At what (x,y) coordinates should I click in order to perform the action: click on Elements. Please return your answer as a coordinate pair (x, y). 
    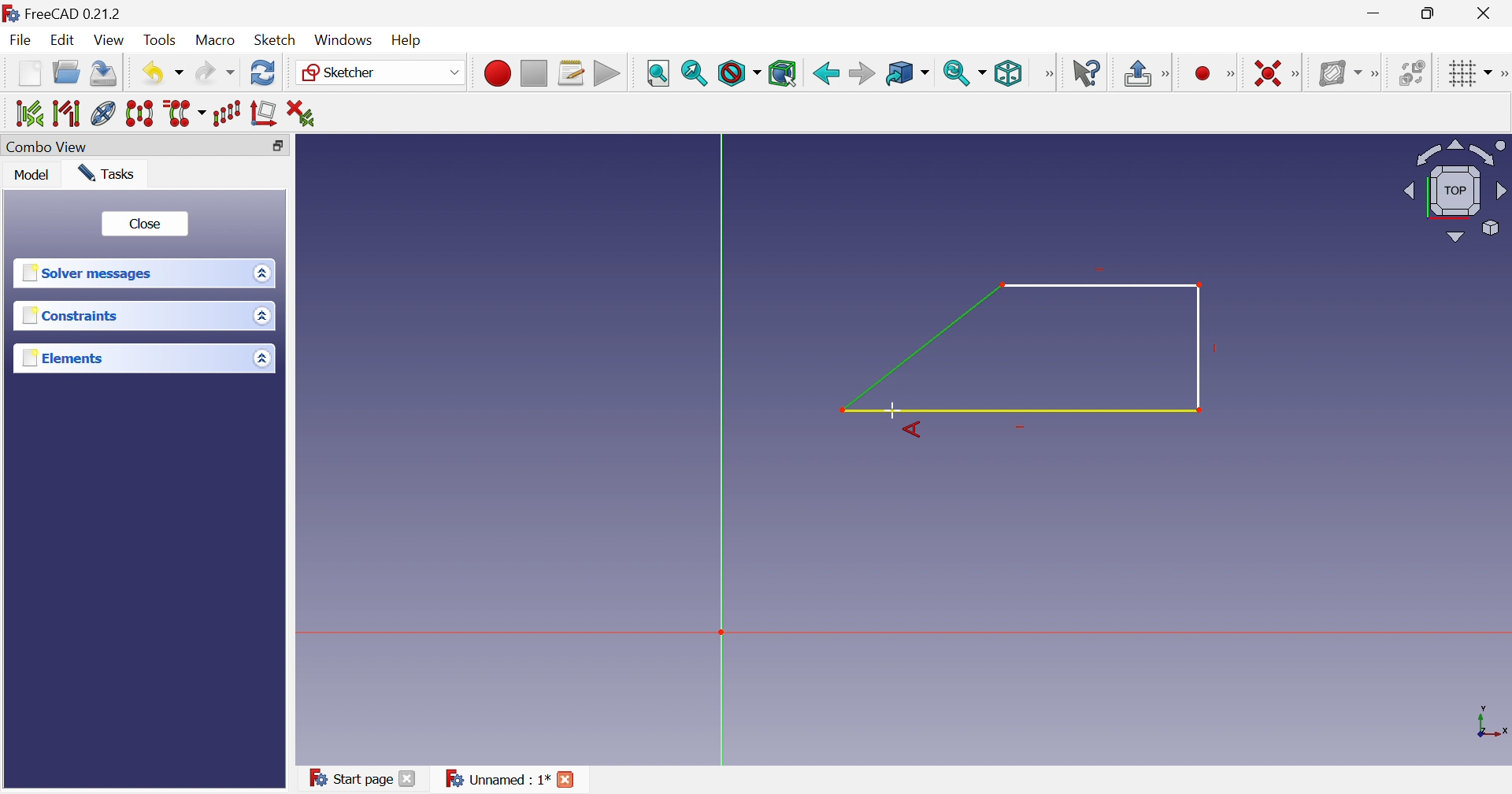
    Looking at the image, I should click on (61, 358).